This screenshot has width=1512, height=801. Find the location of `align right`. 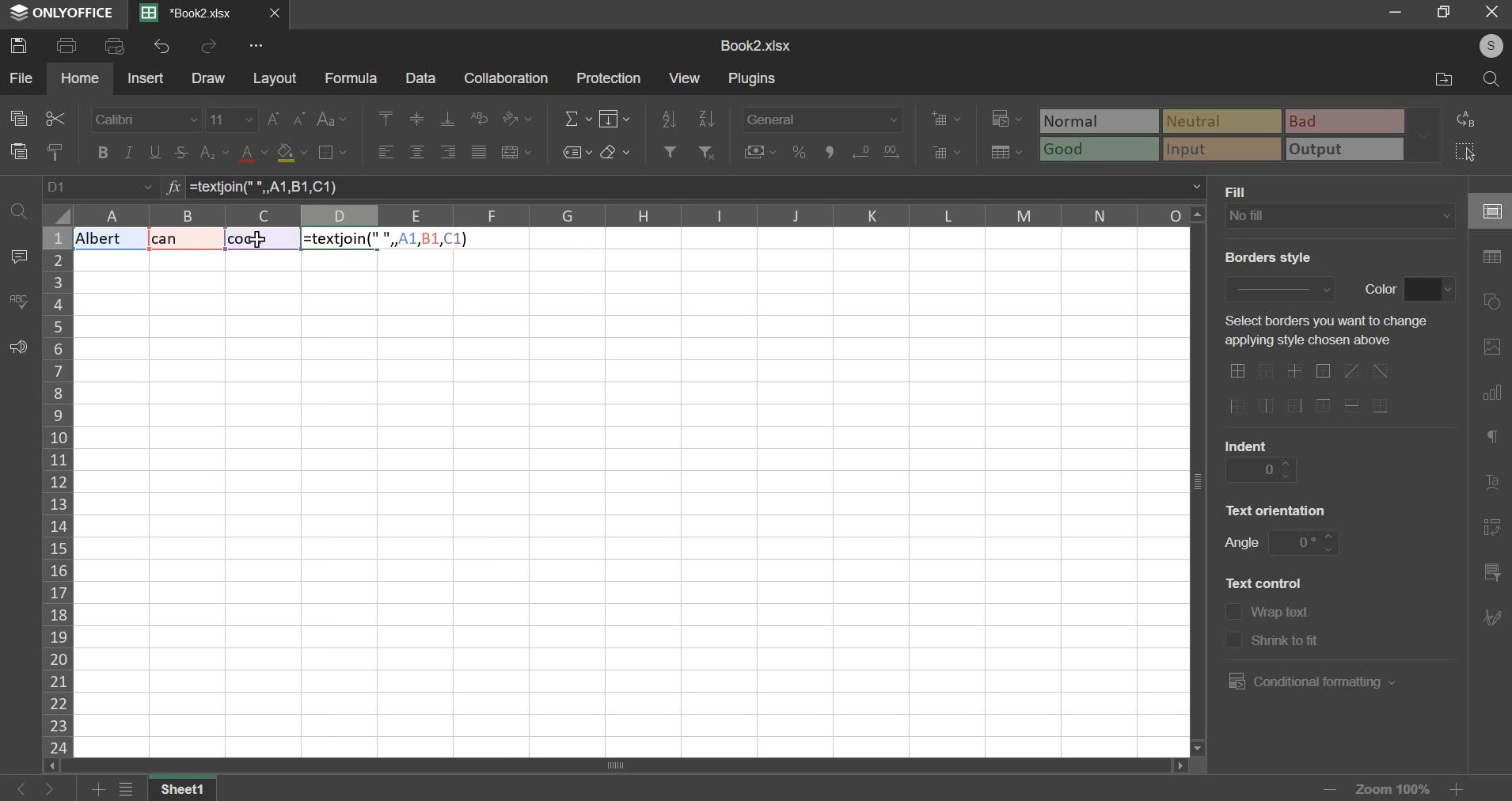

align right is located at coordinates (449, 152).